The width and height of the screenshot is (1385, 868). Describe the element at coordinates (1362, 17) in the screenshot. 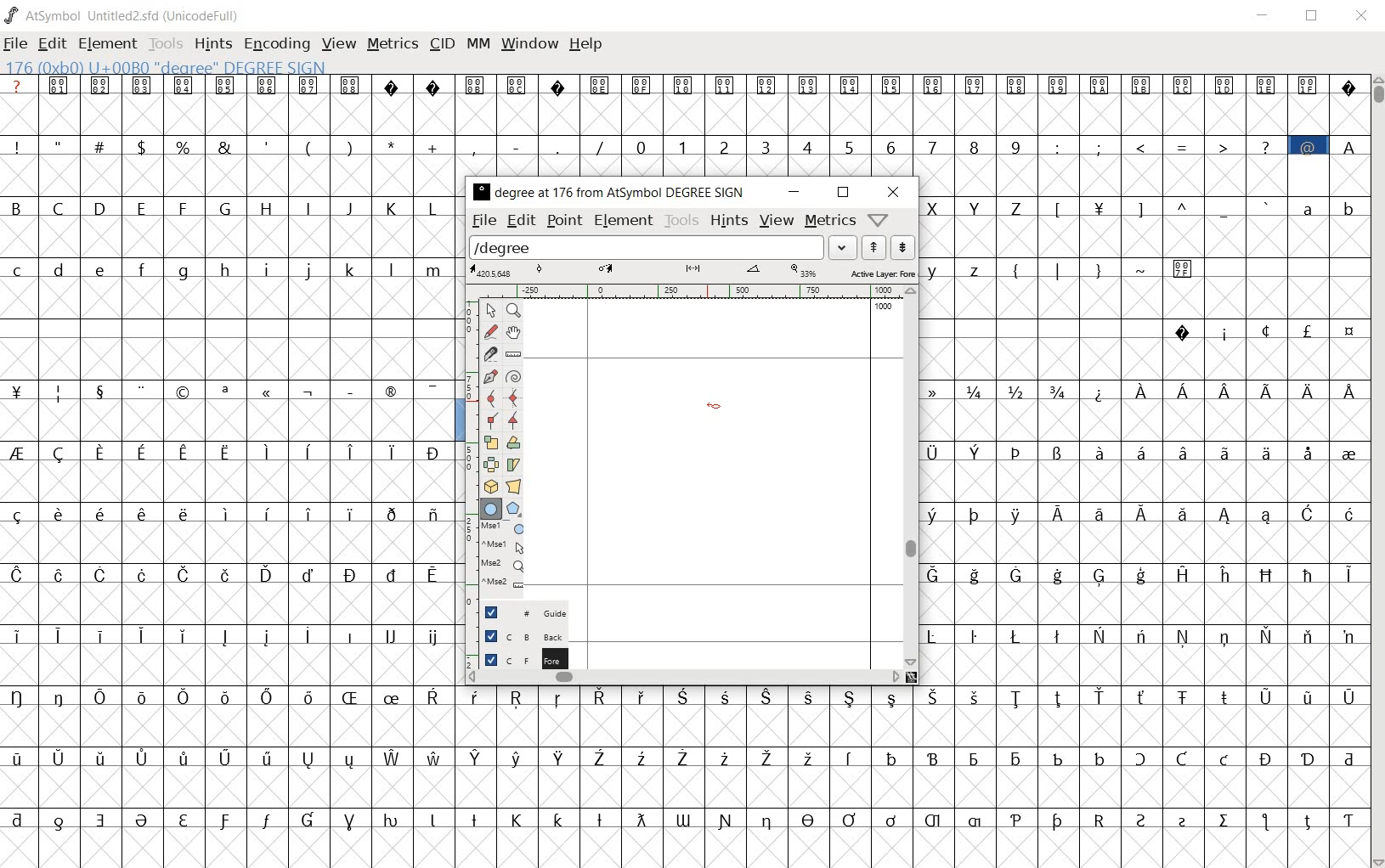

I see `close` at that location.